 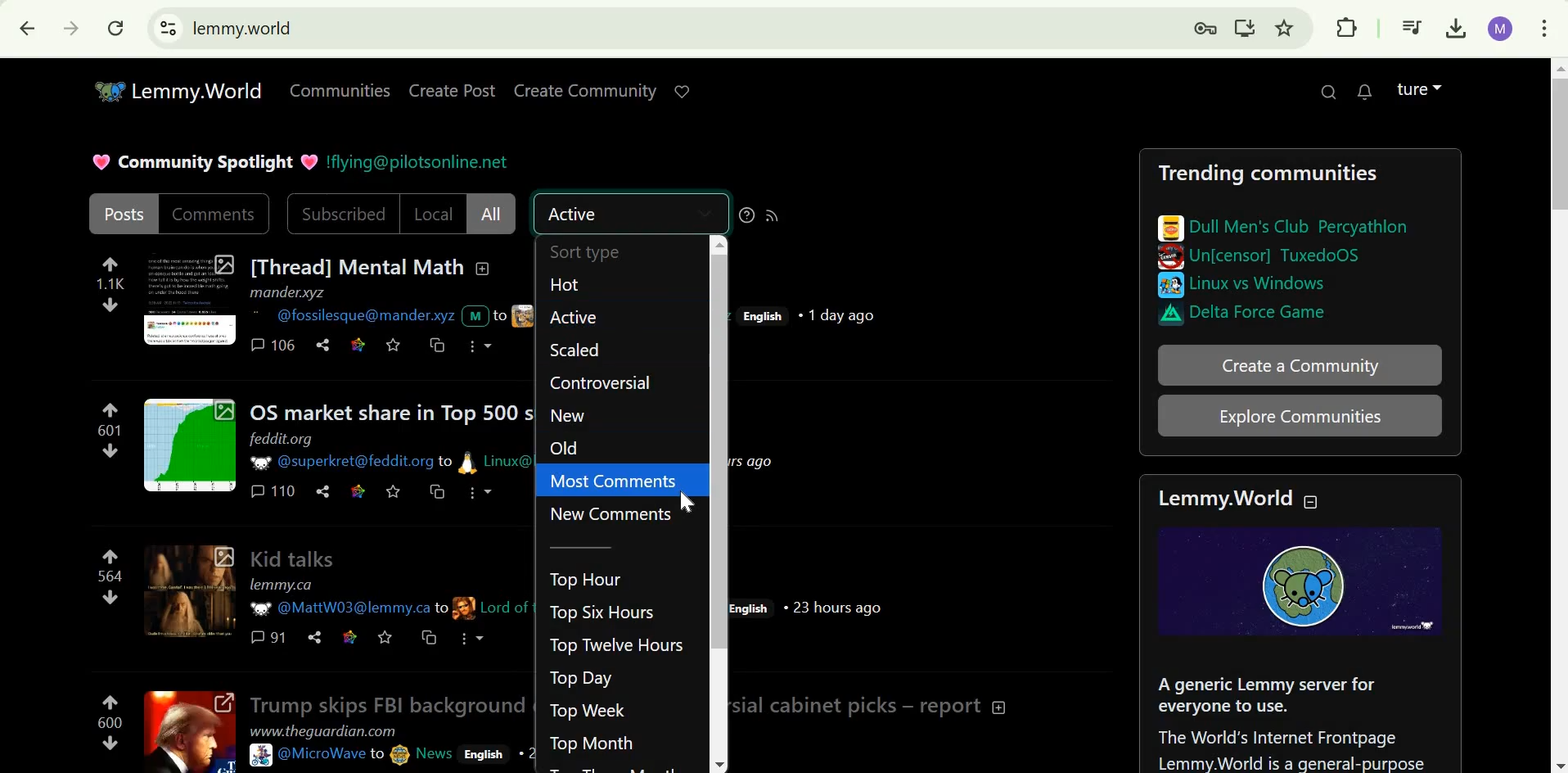 I want to click on mander.xyz, so click(x=289, y=292).